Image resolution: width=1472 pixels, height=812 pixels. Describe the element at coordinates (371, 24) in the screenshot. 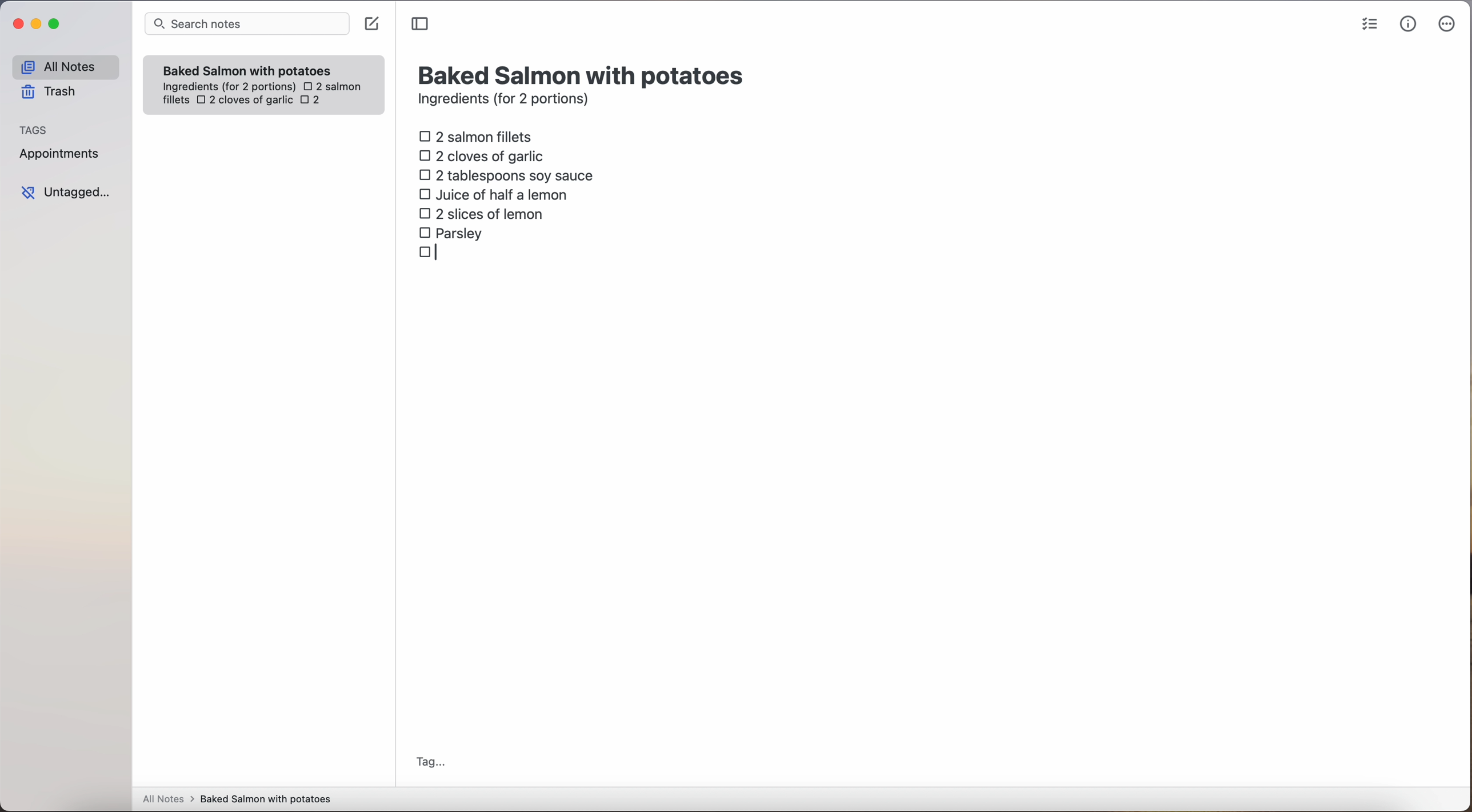

I see `create note` at that location.